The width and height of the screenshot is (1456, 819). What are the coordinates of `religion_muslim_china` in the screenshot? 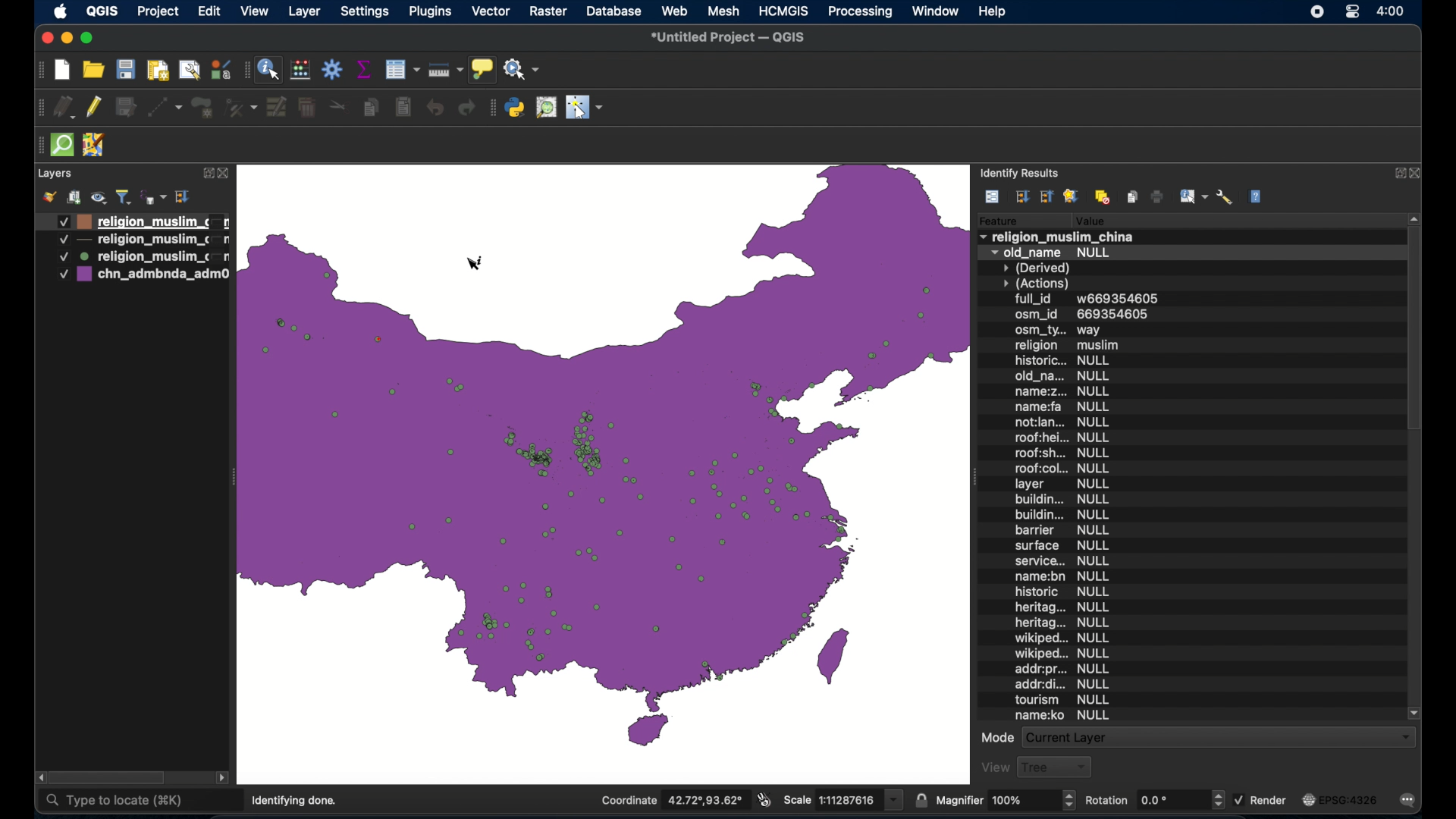 It's located at (1058, 237).